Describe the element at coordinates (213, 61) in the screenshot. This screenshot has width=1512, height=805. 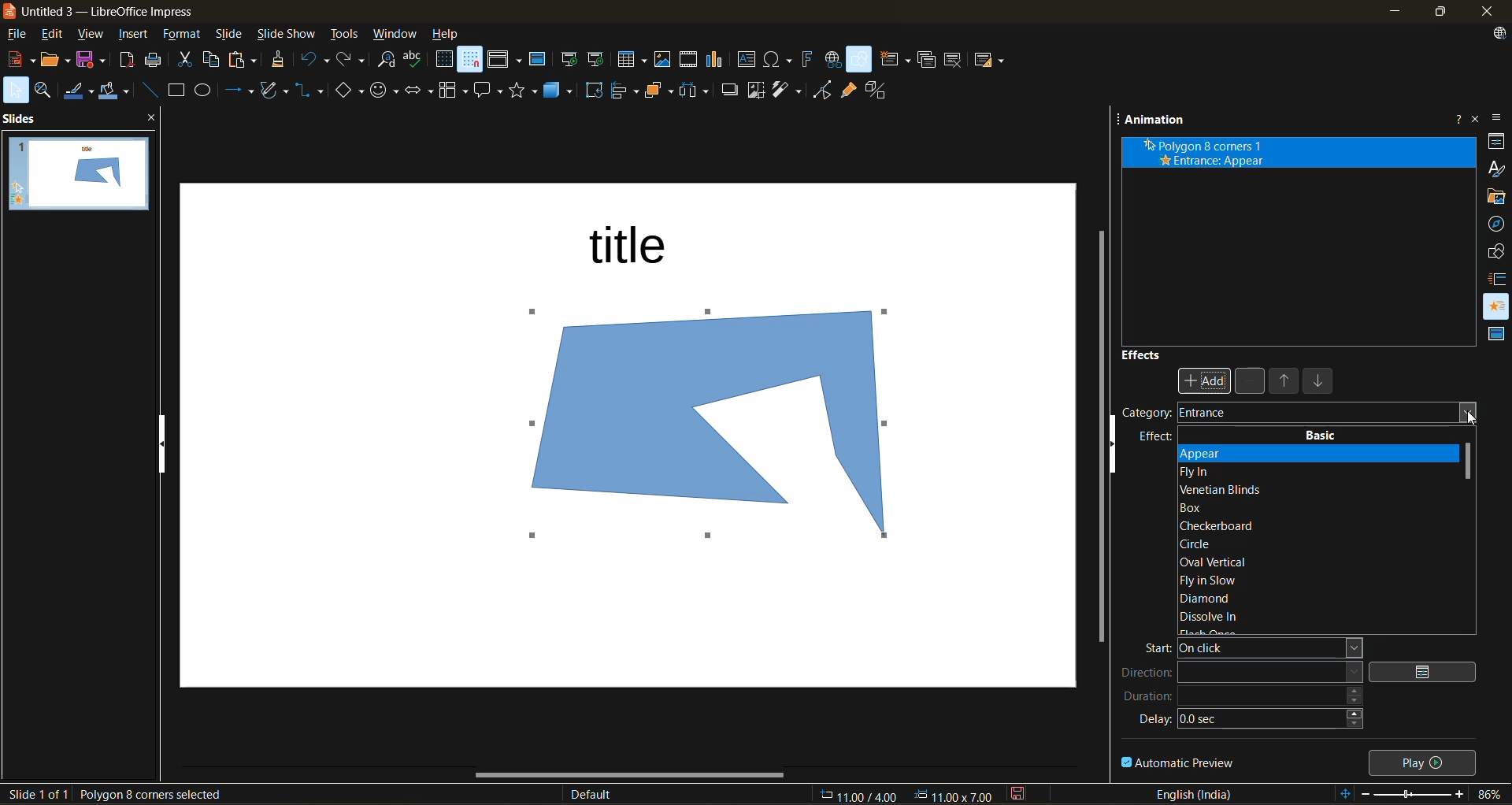
I see `copy` at that location.